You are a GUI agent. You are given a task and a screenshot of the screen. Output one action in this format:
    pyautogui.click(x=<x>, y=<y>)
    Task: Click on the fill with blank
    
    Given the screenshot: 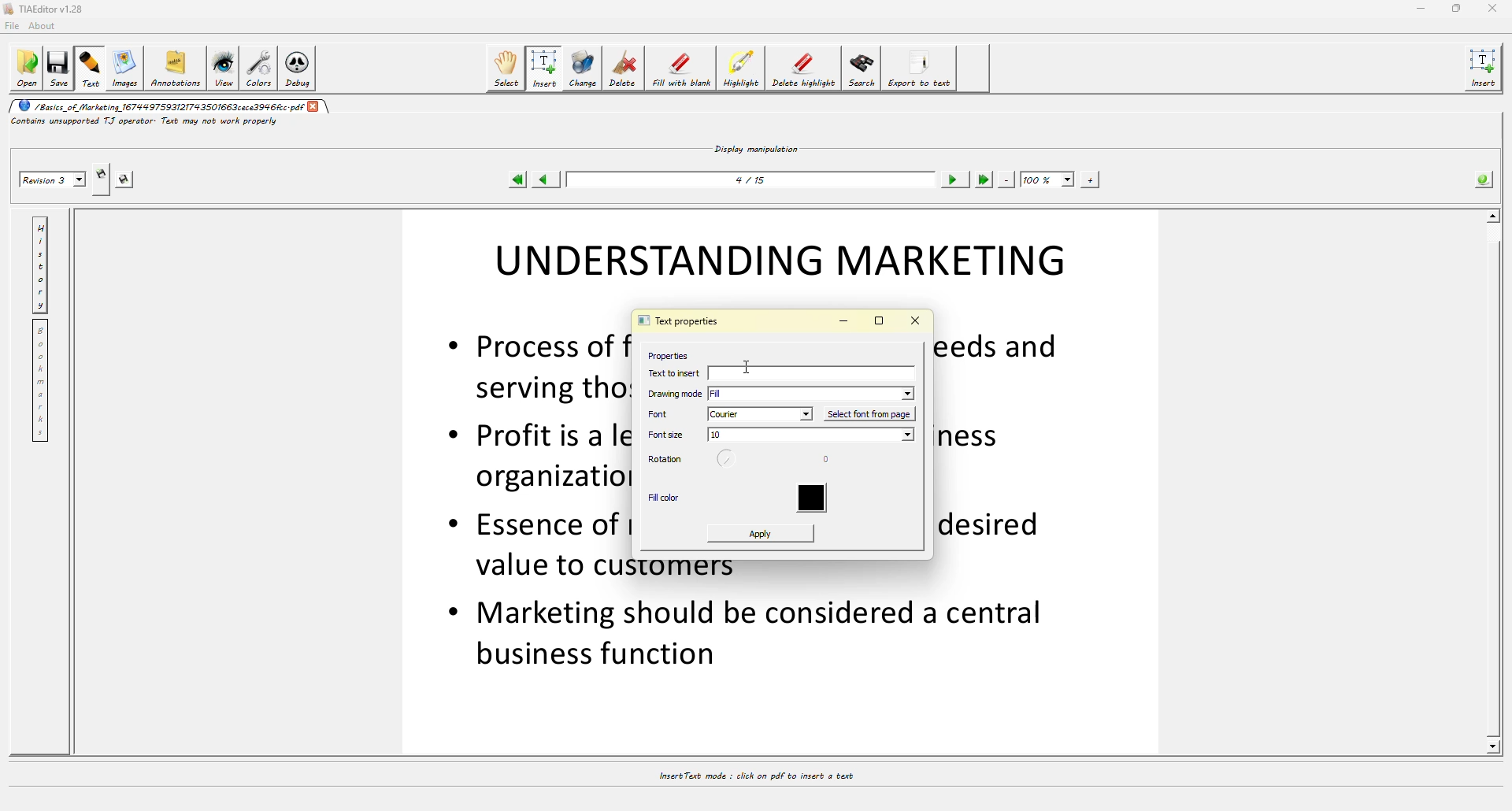 What is the action you would take?
    pyautogui.click(x=682, y=68)
    